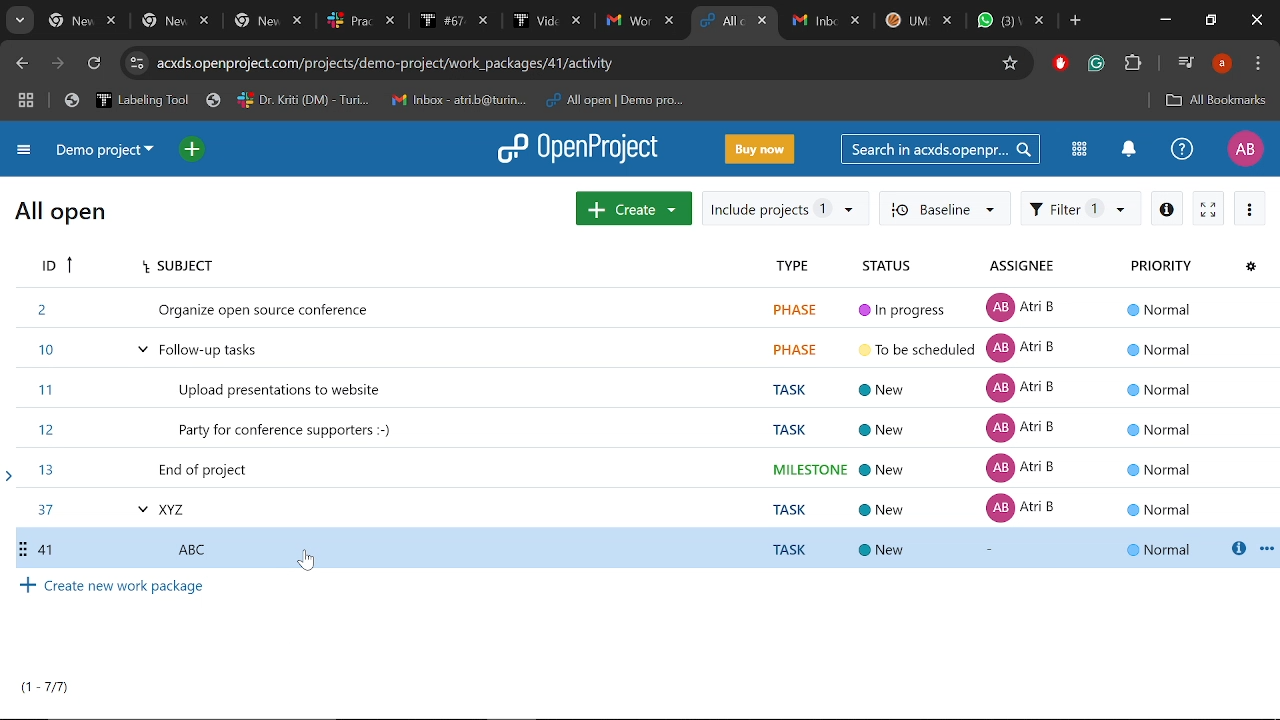  Describe the element at coordinates (634, 209) in the screenshot. I see `Create` at that location.